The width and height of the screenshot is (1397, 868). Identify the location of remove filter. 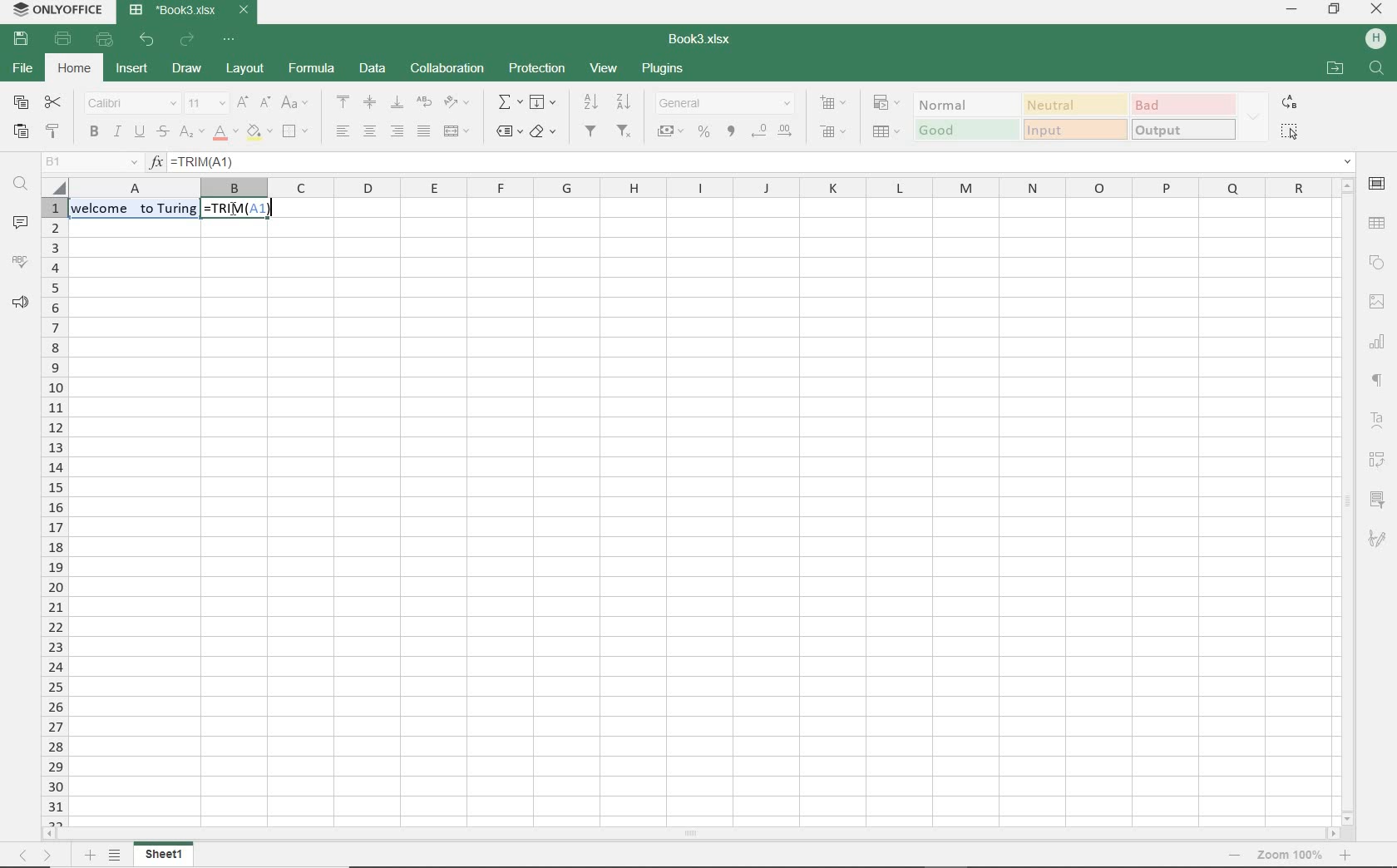
(626, 133).